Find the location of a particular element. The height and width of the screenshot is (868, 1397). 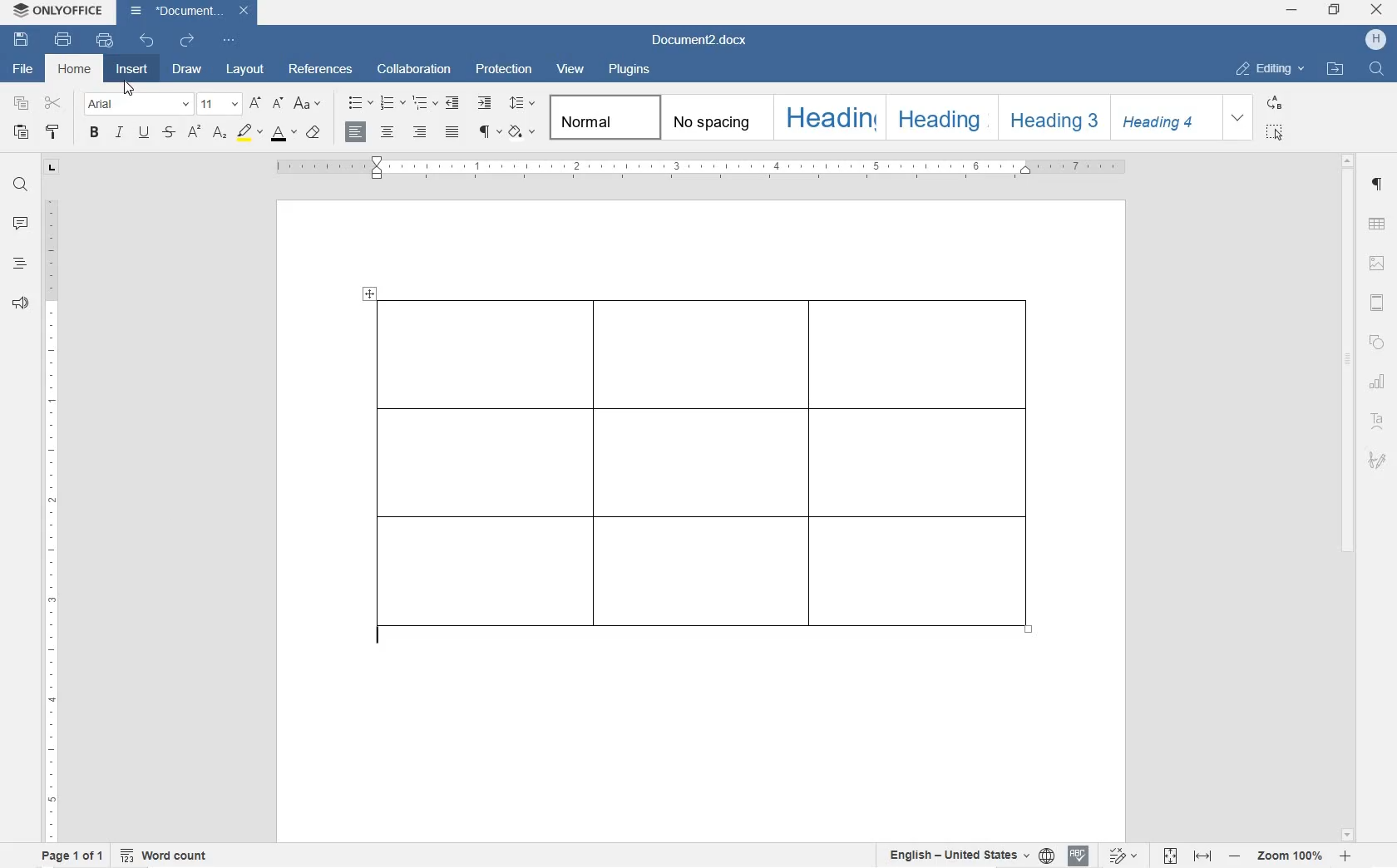

font name is located at coordinates (135, 104).